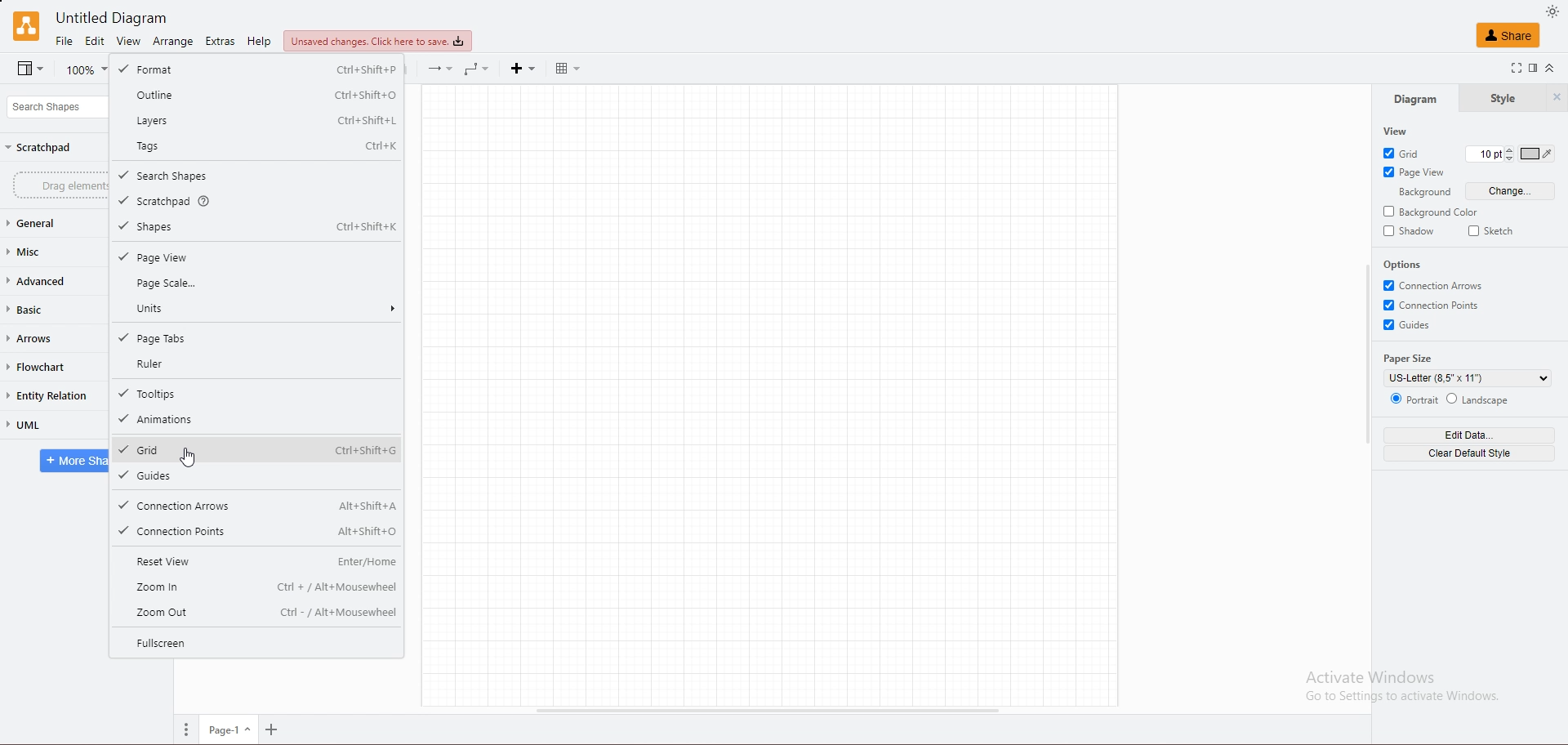  What do you see at coordinates (257, 613) in the screenshot?
I see `Zoom Out Ctrl - / Alt+Mousewheel` at bounding box center [257, 613].